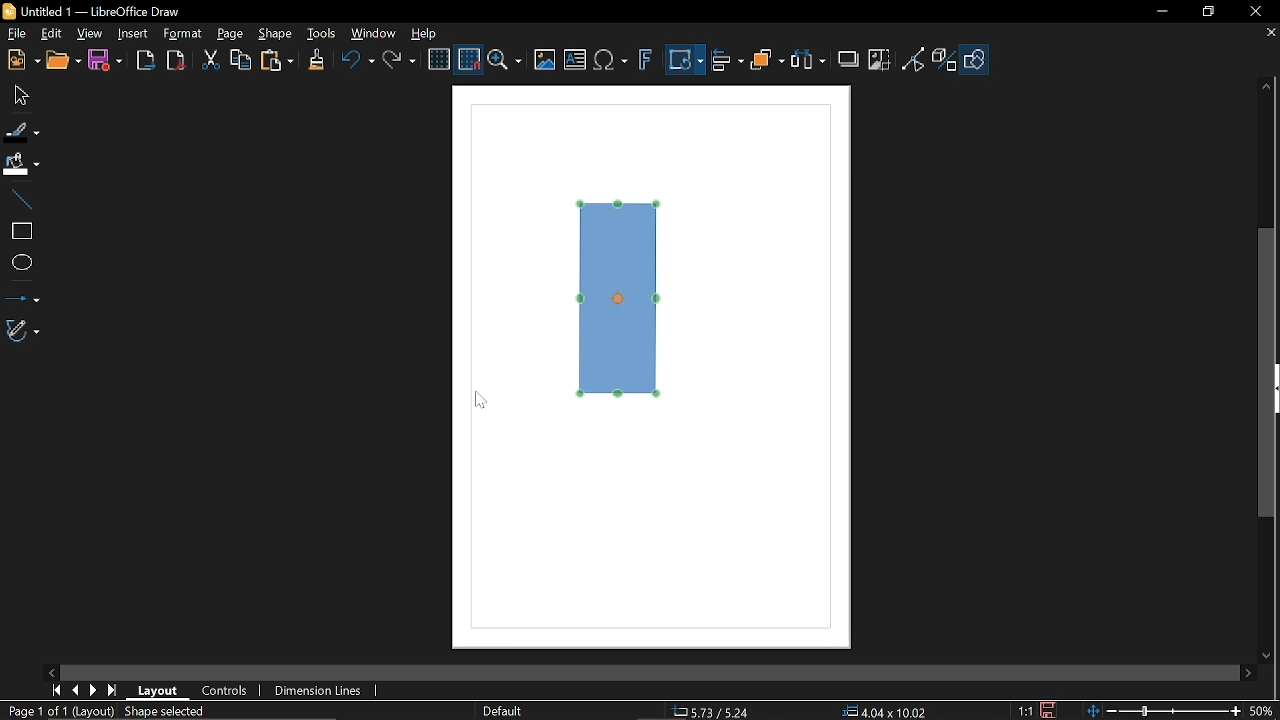 The width and height of the screenshot is (1280, 720). Describe the element at coordinates (181, 34) in the screenshot. I see `Format` at that location.